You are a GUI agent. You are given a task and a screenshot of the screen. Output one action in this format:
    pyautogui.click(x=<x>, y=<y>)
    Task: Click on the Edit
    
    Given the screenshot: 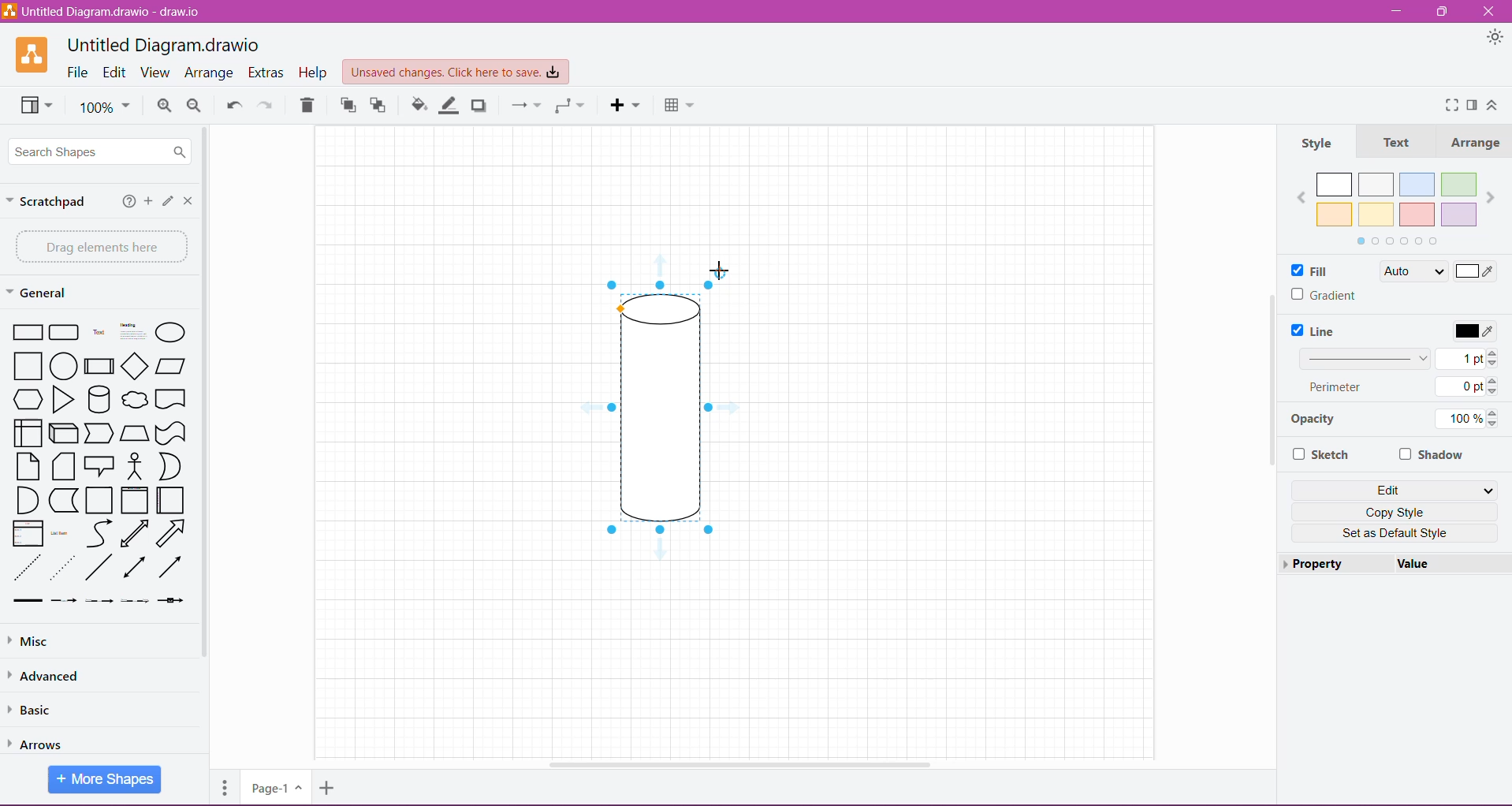 What is the action you would take?
    pyautogui.click(x=1398, y=489)
    